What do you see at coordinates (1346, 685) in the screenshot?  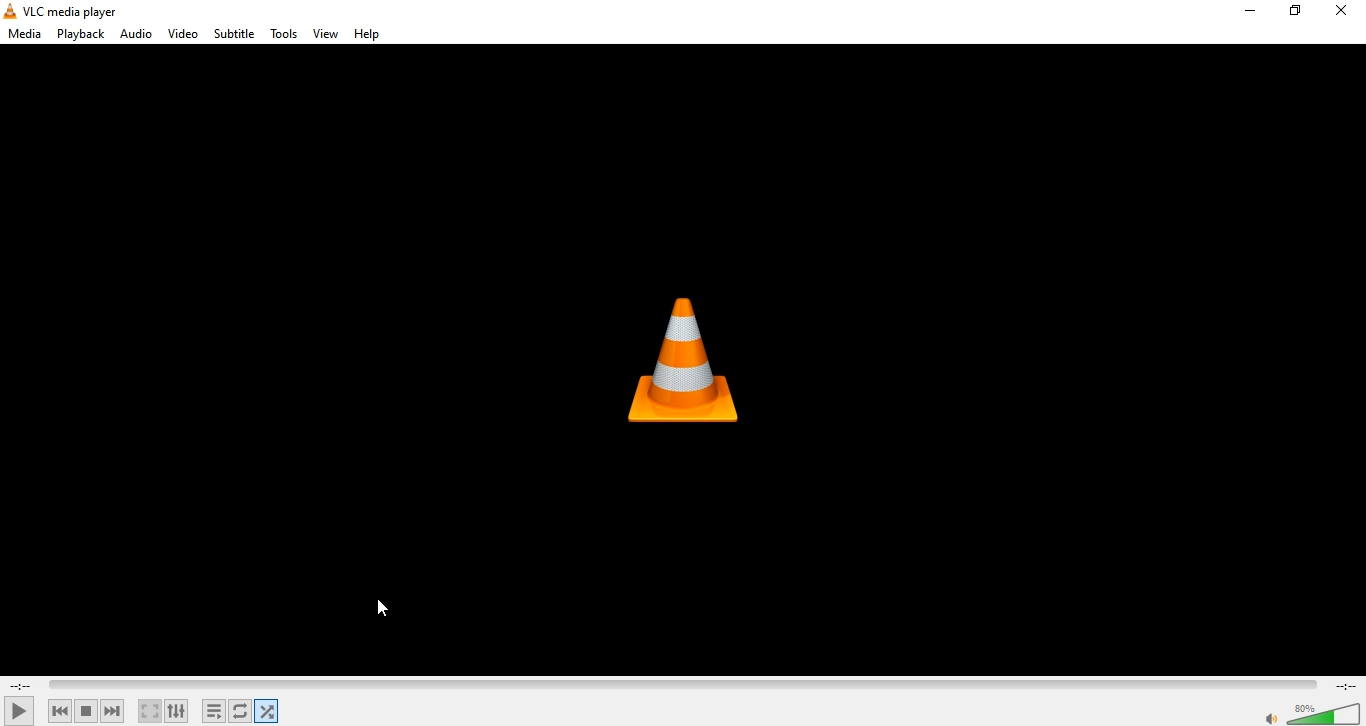 I see `total remaining time` at bounding box center [1346, 685].